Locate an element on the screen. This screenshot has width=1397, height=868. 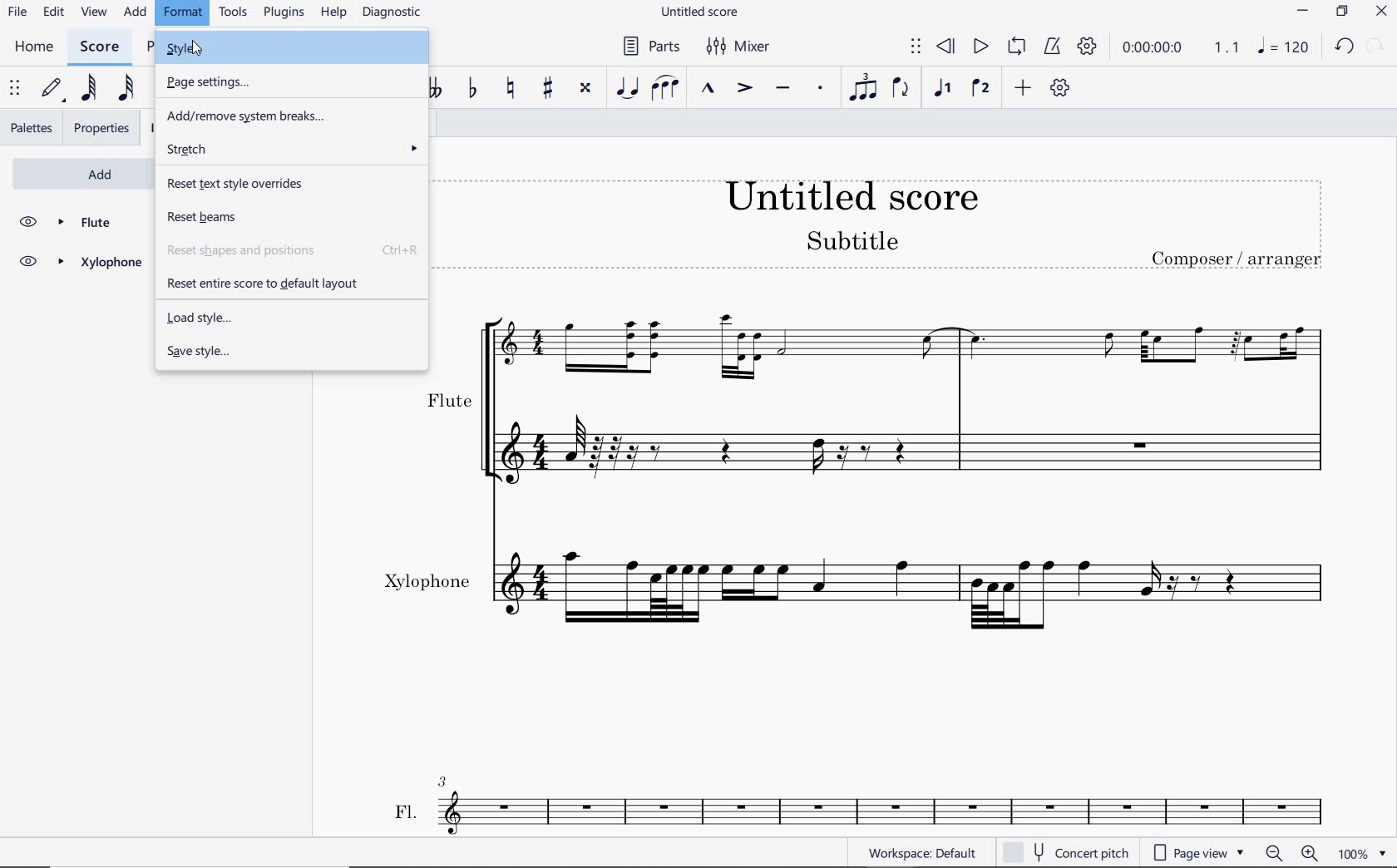
TOGGLE DOUBLE-SHARP is located at coordinates (586, 89).